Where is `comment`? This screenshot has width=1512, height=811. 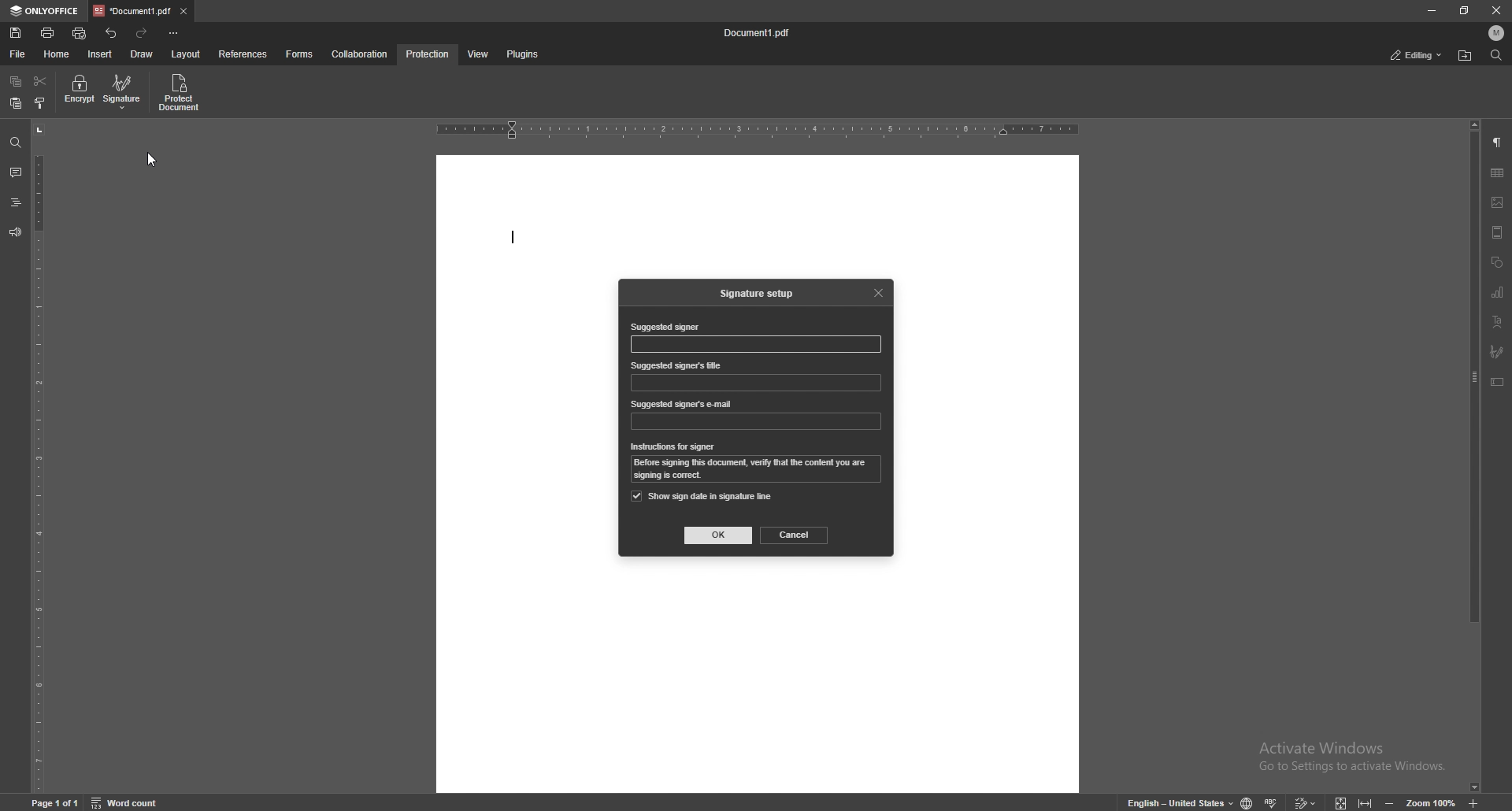 comment is located at coordinates (13, 172).